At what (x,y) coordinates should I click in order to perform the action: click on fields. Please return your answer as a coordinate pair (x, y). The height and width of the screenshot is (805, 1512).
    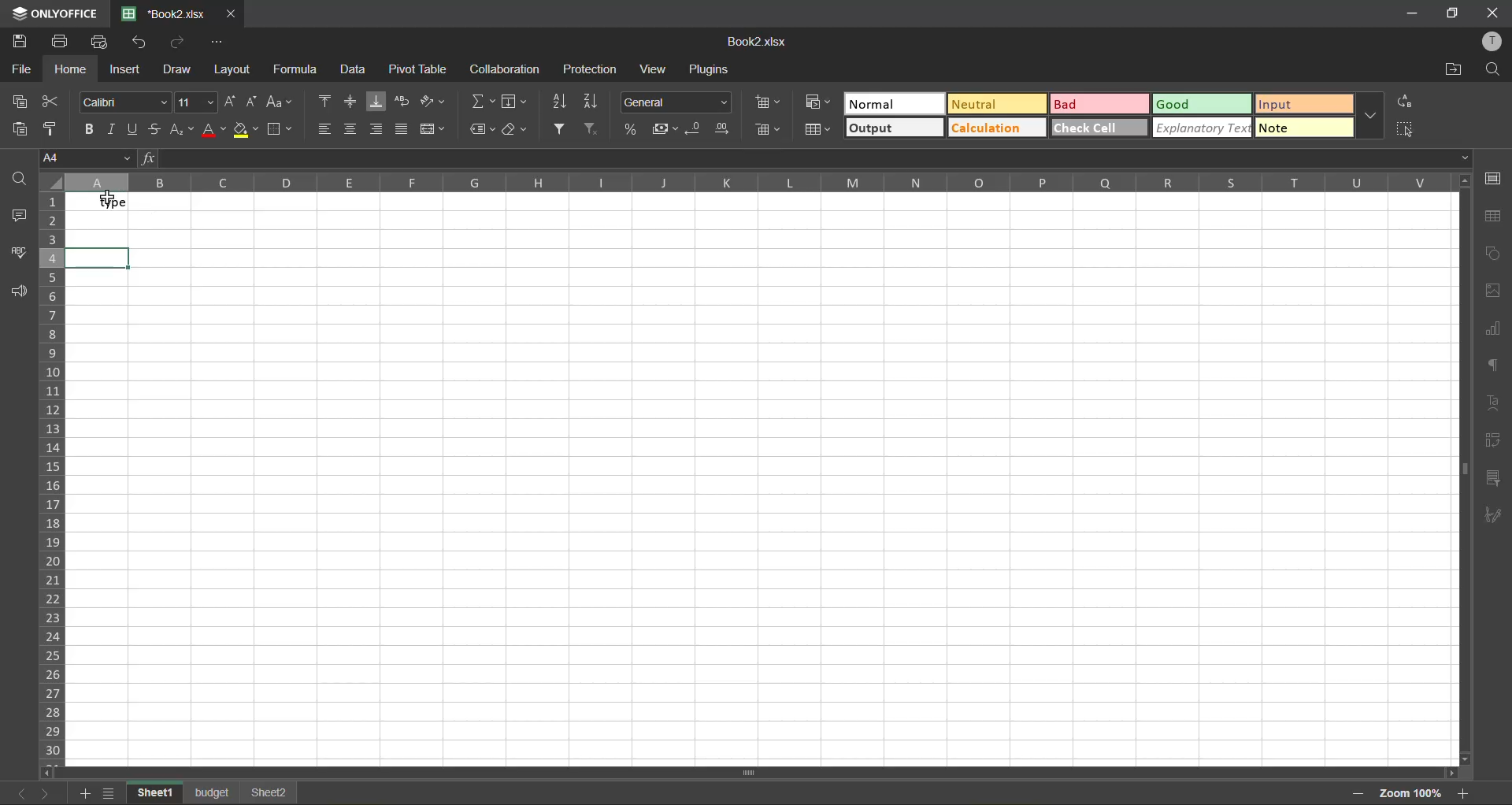
    Looking at the image, I should click on (516, 101).